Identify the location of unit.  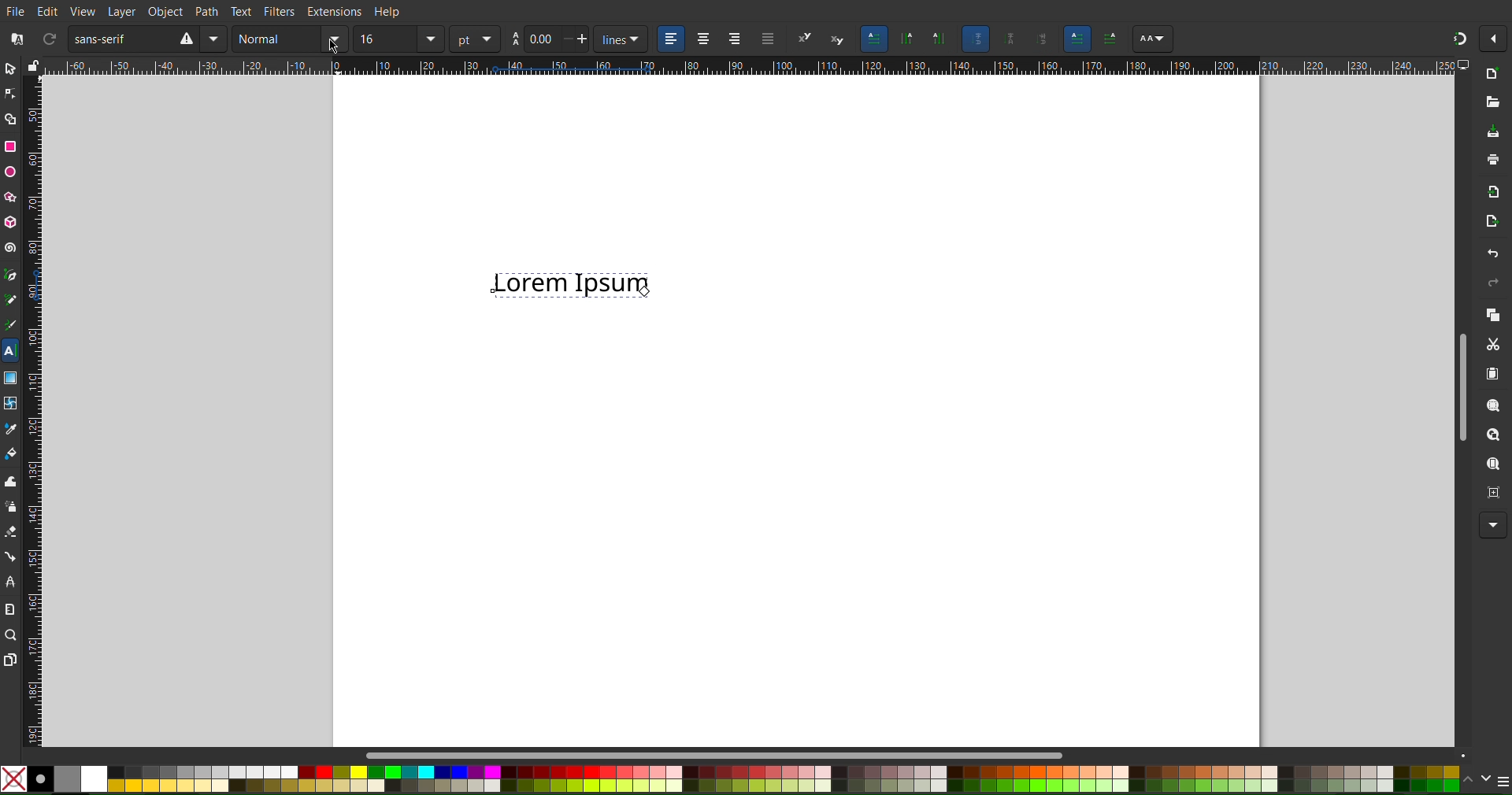
(476, 39).